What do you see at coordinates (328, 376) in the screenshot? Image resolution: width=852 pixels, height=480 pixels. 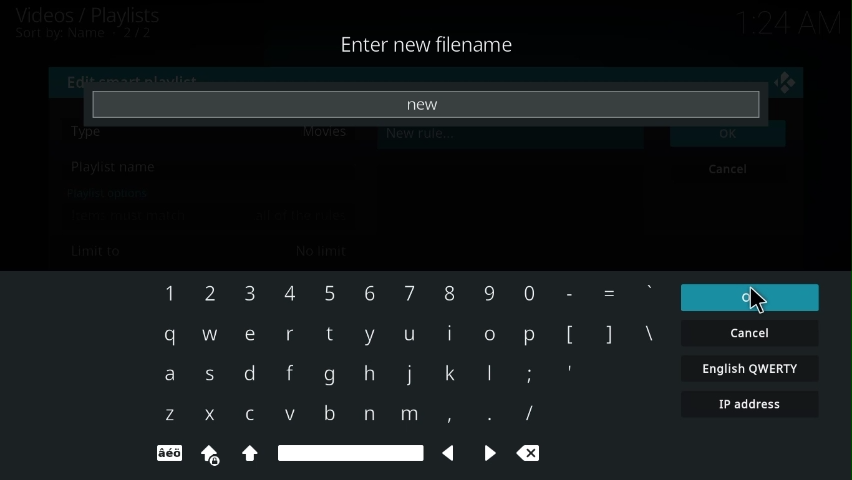 I see `g` at bounding box center [328, 376].